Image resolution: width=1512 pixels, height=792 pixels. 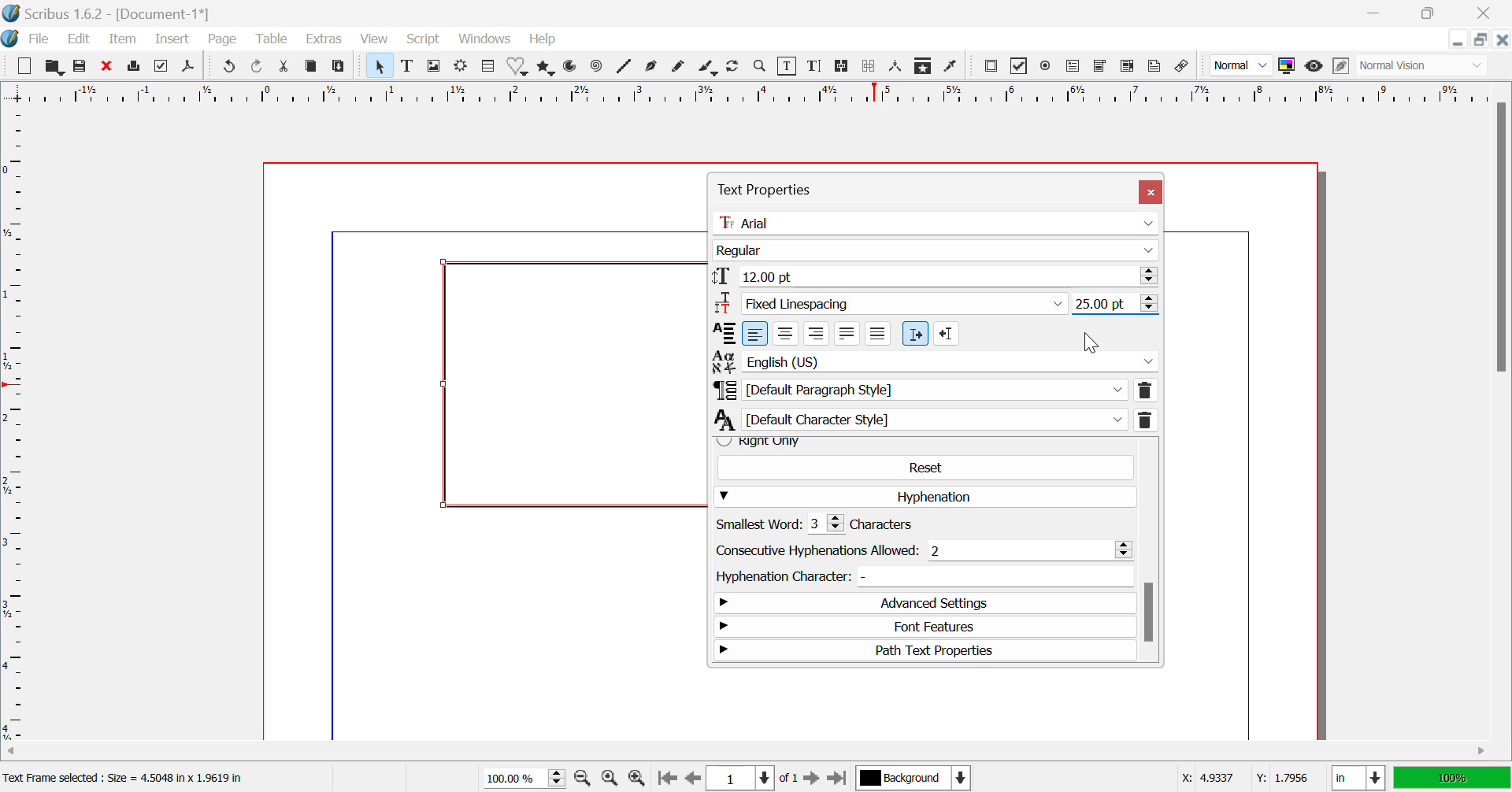 What do you see at coordinates (666, 778) in the screenshot?
I see `First Page` at bounding box center [666, 778].